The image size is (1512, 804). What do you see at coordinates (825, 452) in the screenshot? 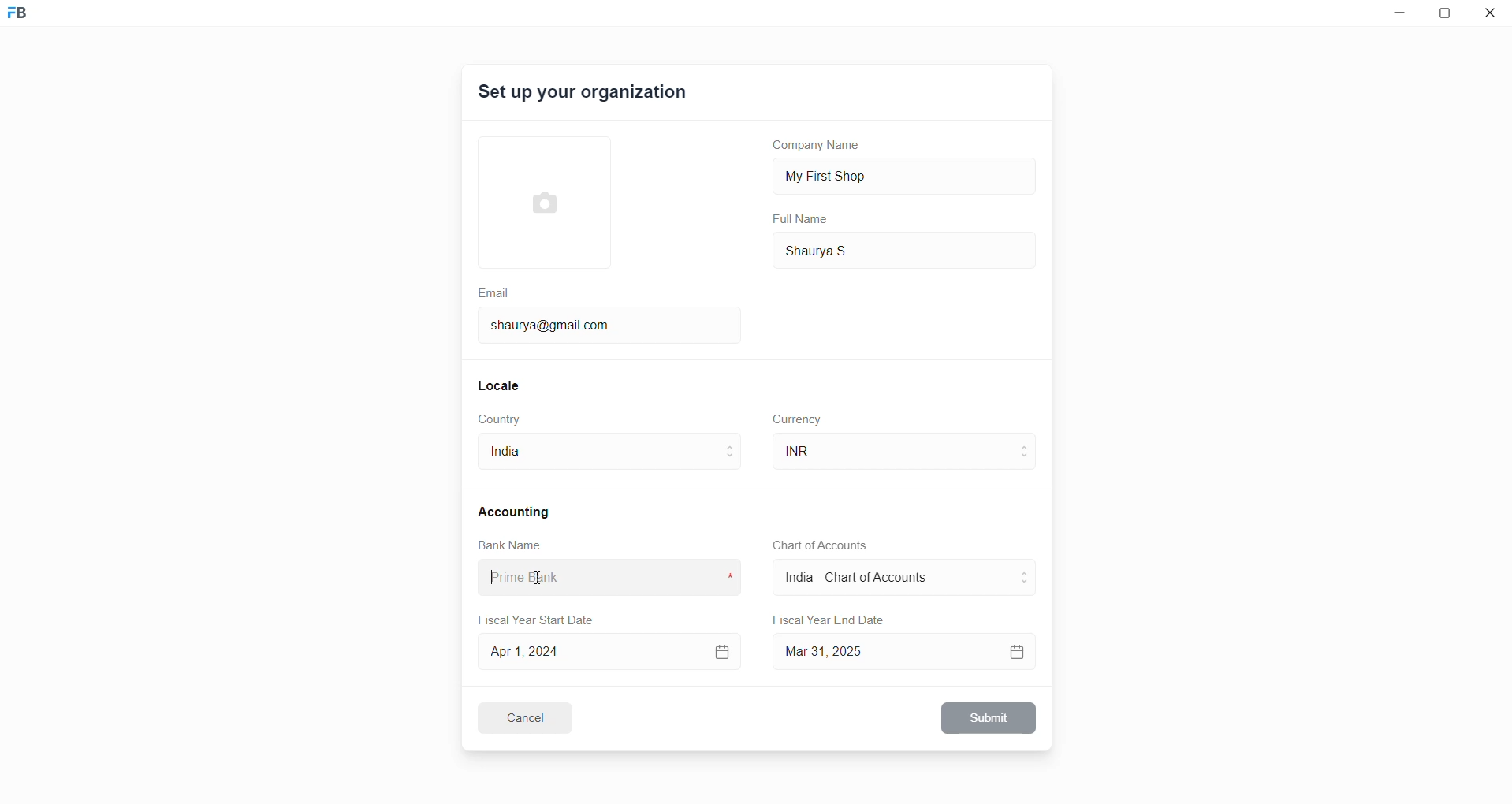
I see `INR` at bounding box center [825, 452].